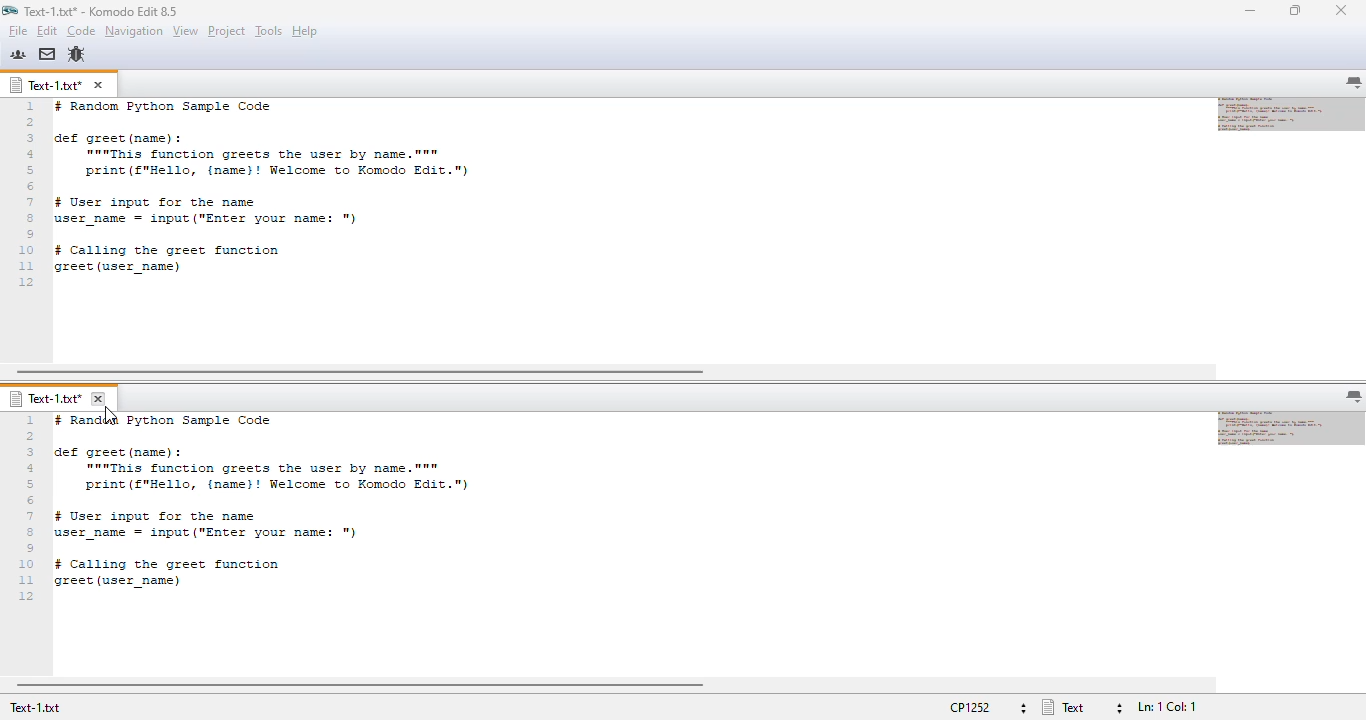 This screenshot has height=720, width=1366. I want to click on minimap, so click(1292, 428).